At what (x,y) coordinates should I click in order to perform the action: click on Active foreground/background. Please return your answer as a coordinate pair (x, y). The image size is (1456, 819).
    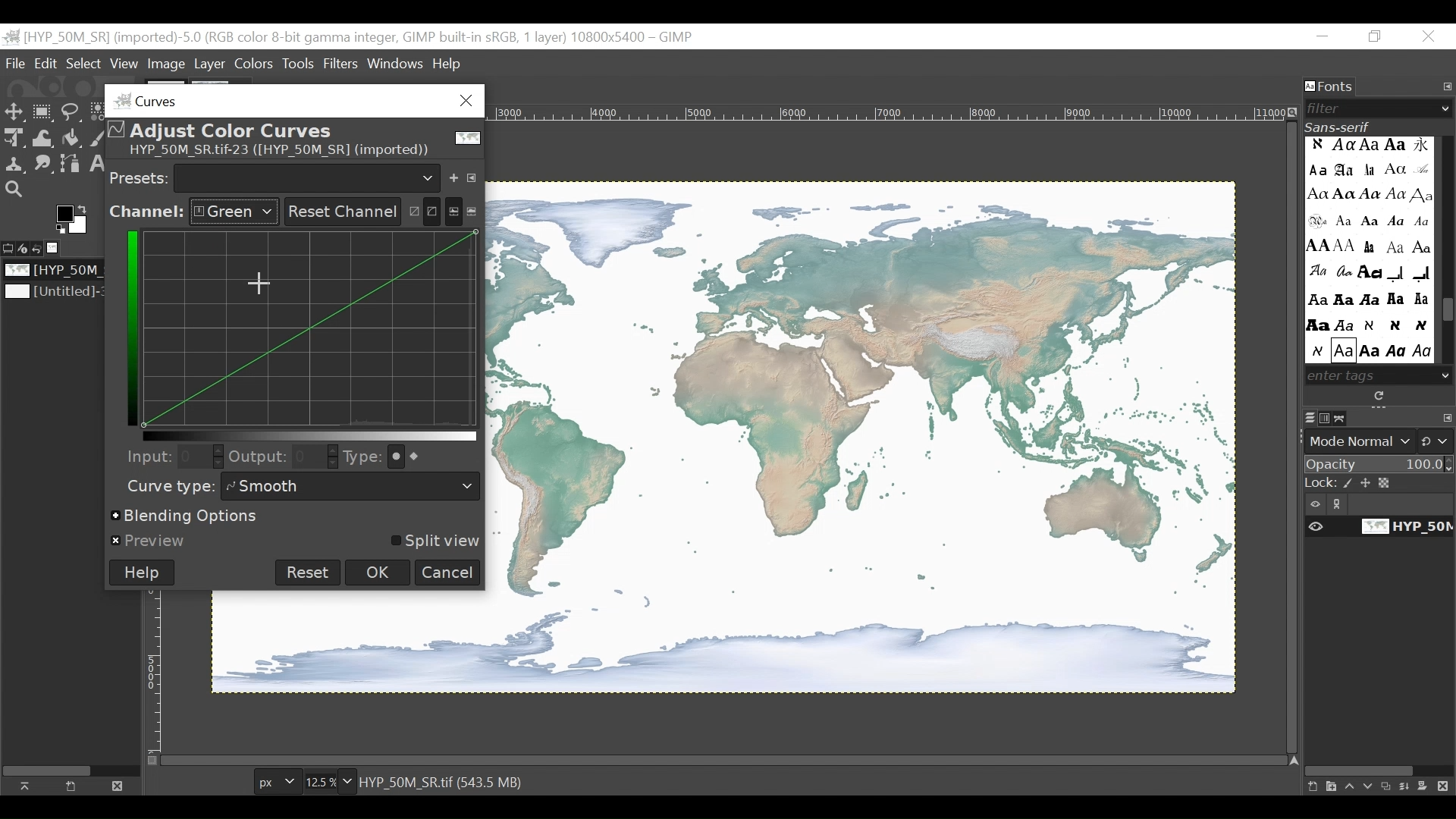
    Looking at the image, I should click on (75, 219).